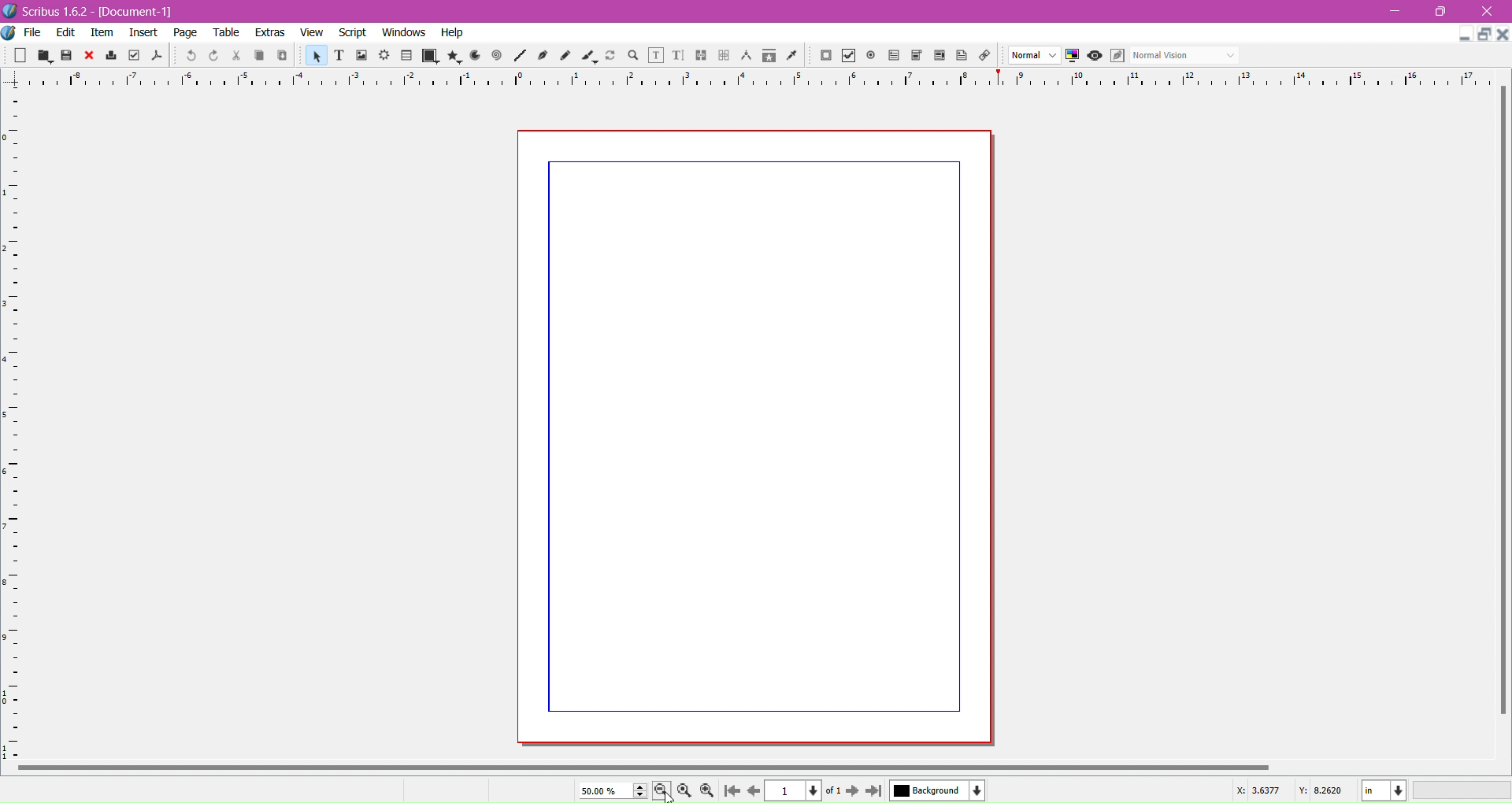  I want to click on Horizontal Scroll Bar, so click(699, 766).